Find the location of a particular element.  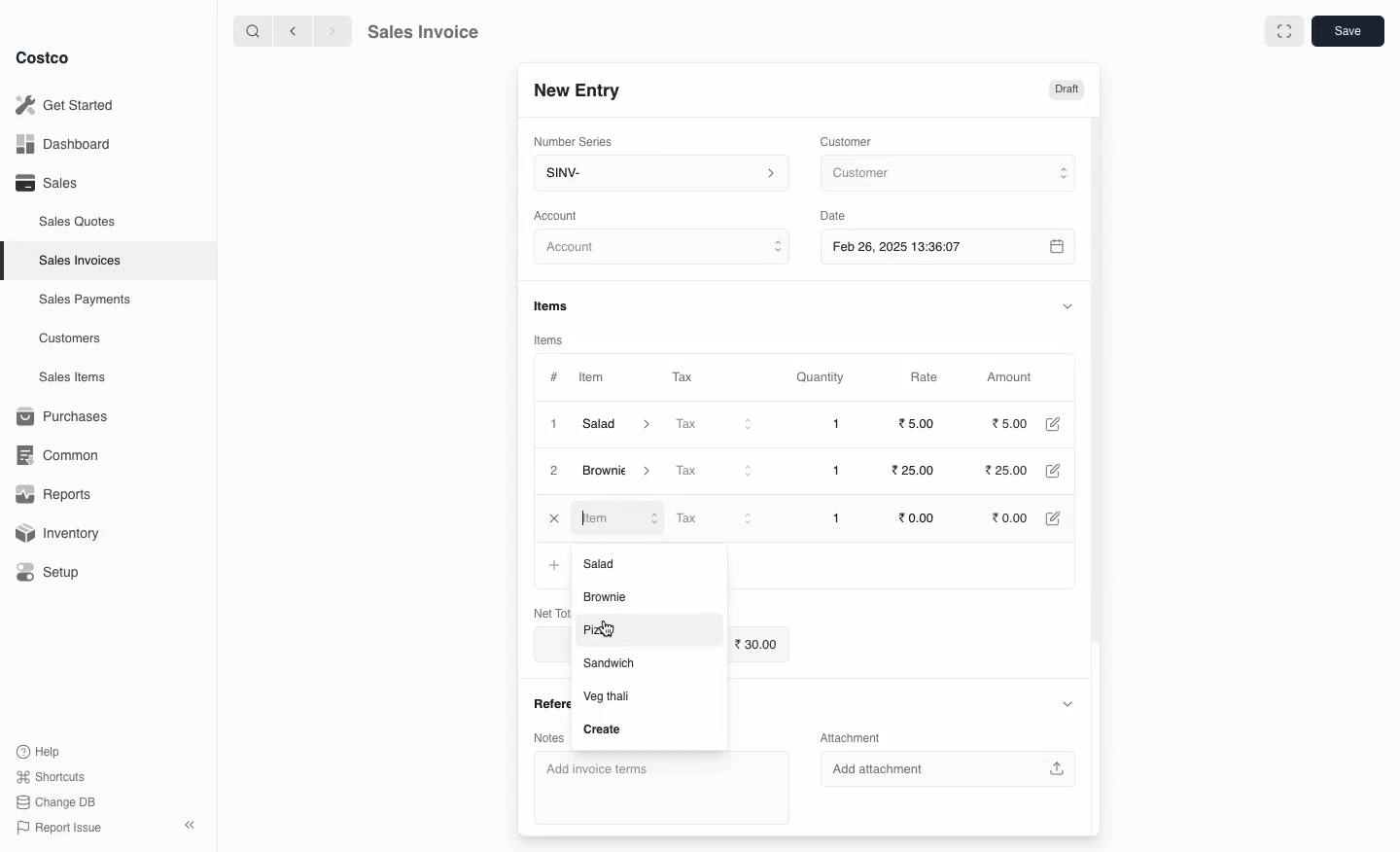

Full width toggle is located at coordinates (1282, 32).